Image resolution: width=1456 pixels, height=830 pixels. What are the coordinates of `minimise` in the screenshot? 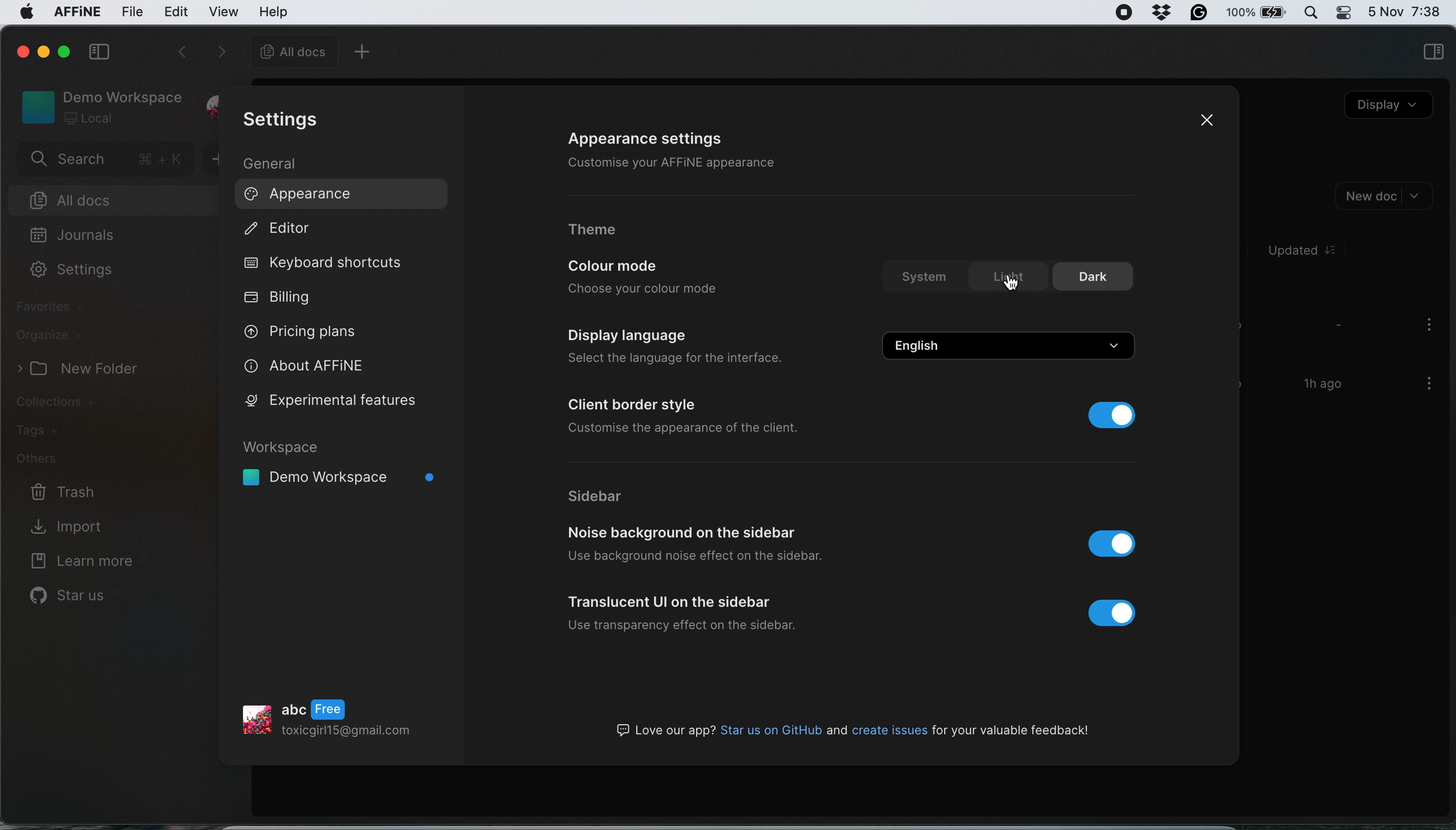 It's located at (43, 49).